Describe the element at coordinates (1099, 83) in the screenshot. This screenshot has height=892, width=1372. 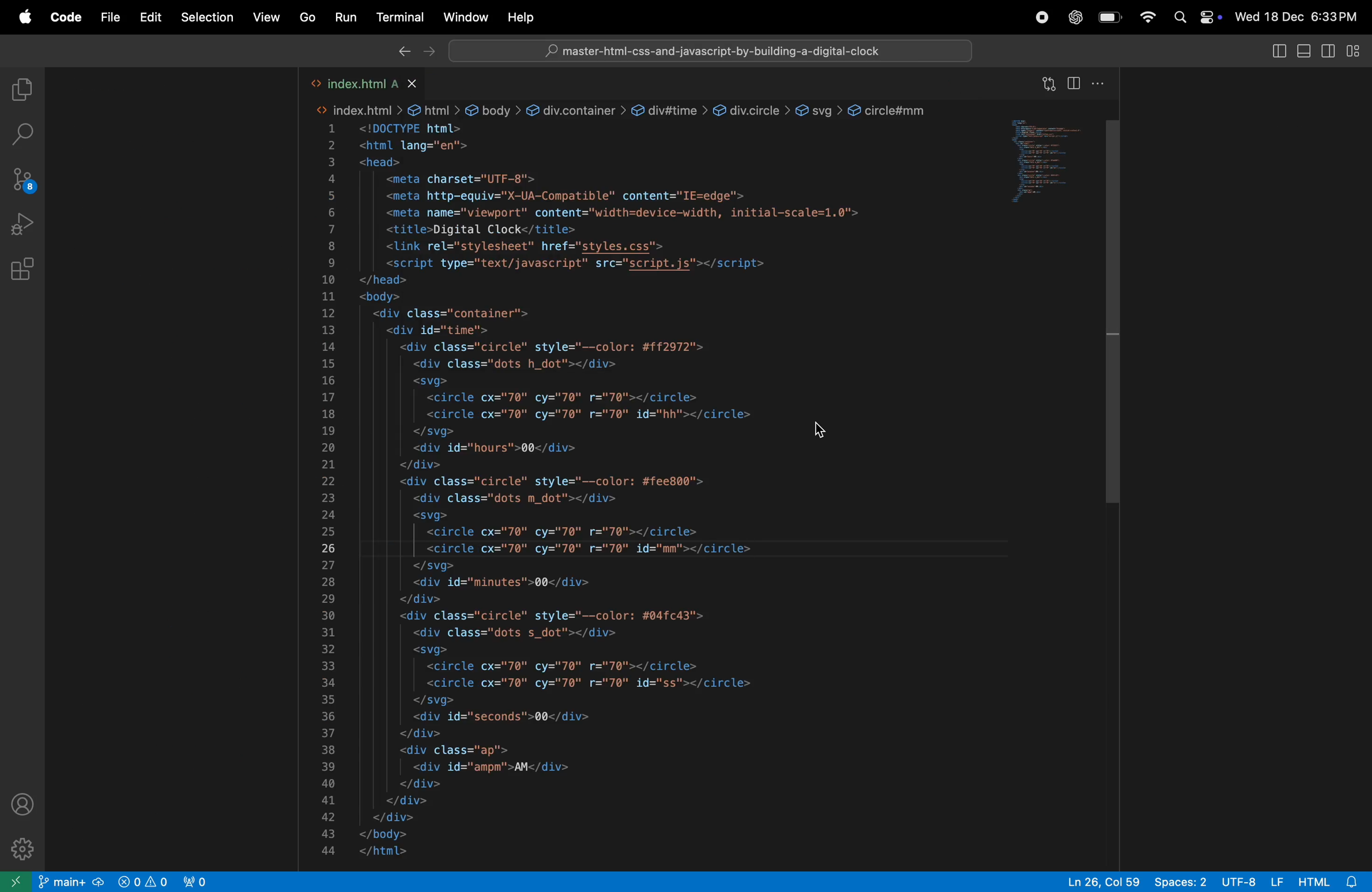
I see `options` at that location.